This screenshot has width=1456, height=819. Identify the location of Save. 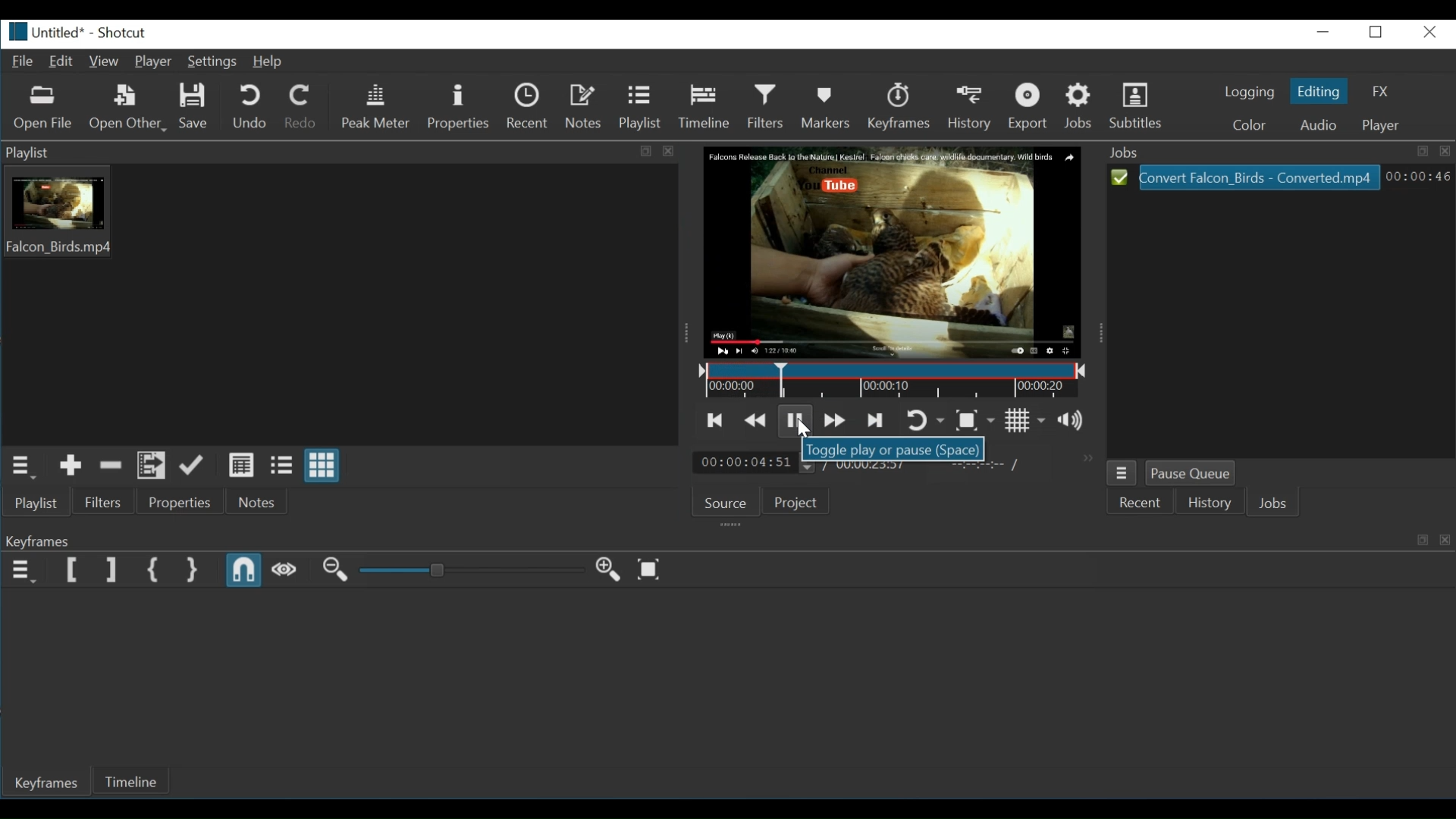
(195, 106).